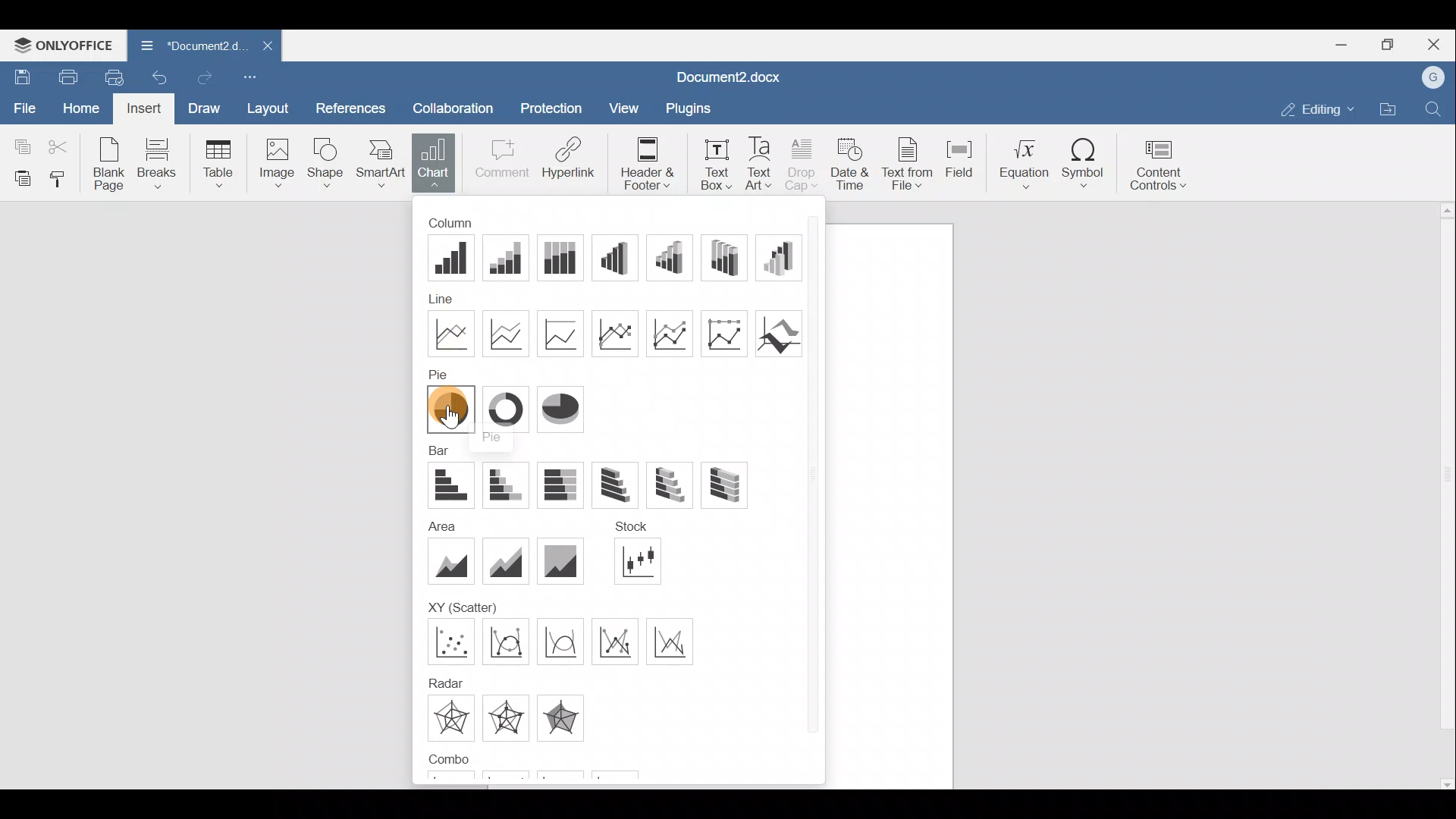 This screenshot has width=1456, height=819. Describe the element at coordinates (688, 108) in the screenshot. I see `Plugins` at that location.